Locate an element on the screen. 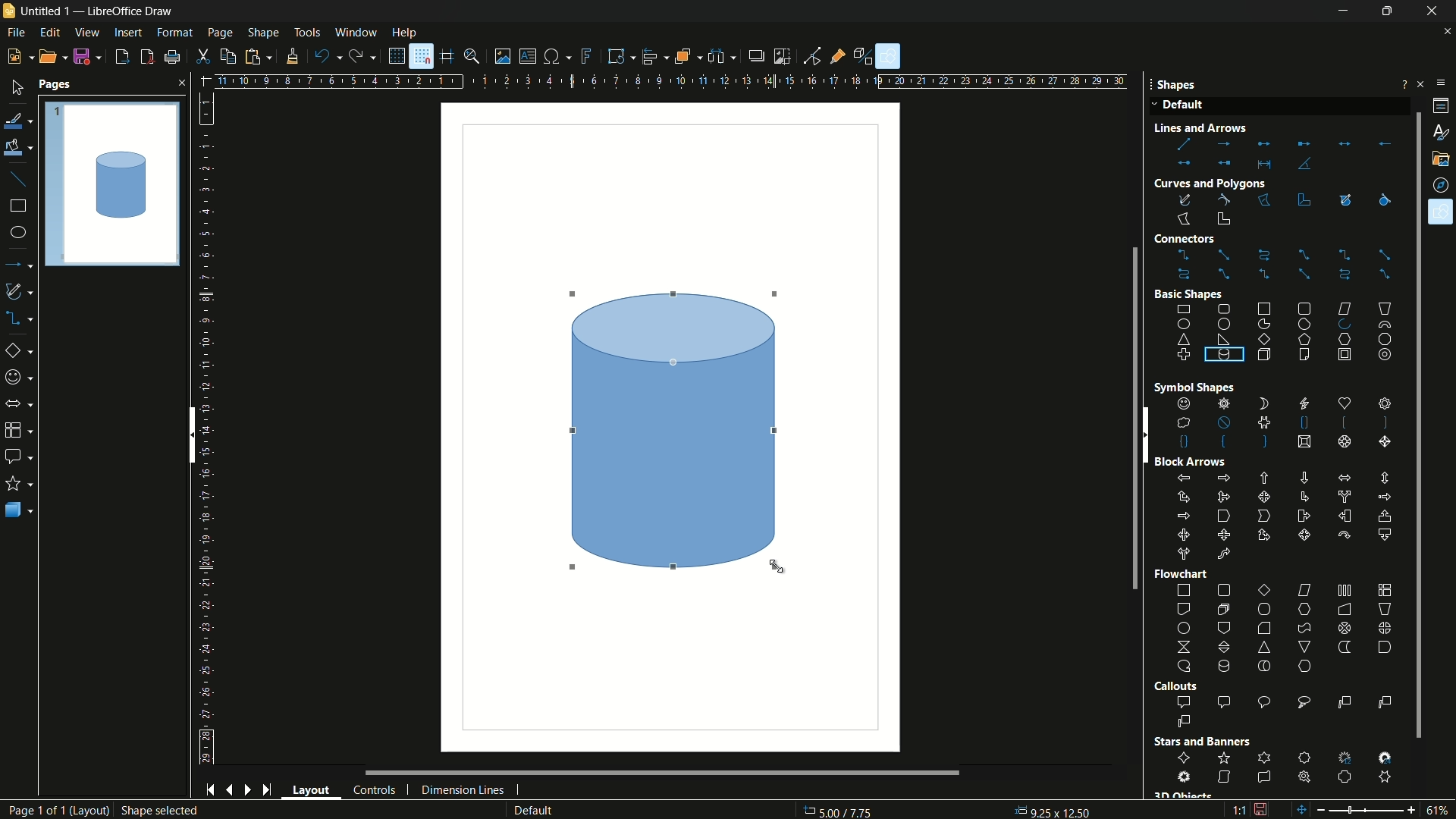 The image size is (1456, 819). show gluepoint functions is located at coordinates (839, 55).